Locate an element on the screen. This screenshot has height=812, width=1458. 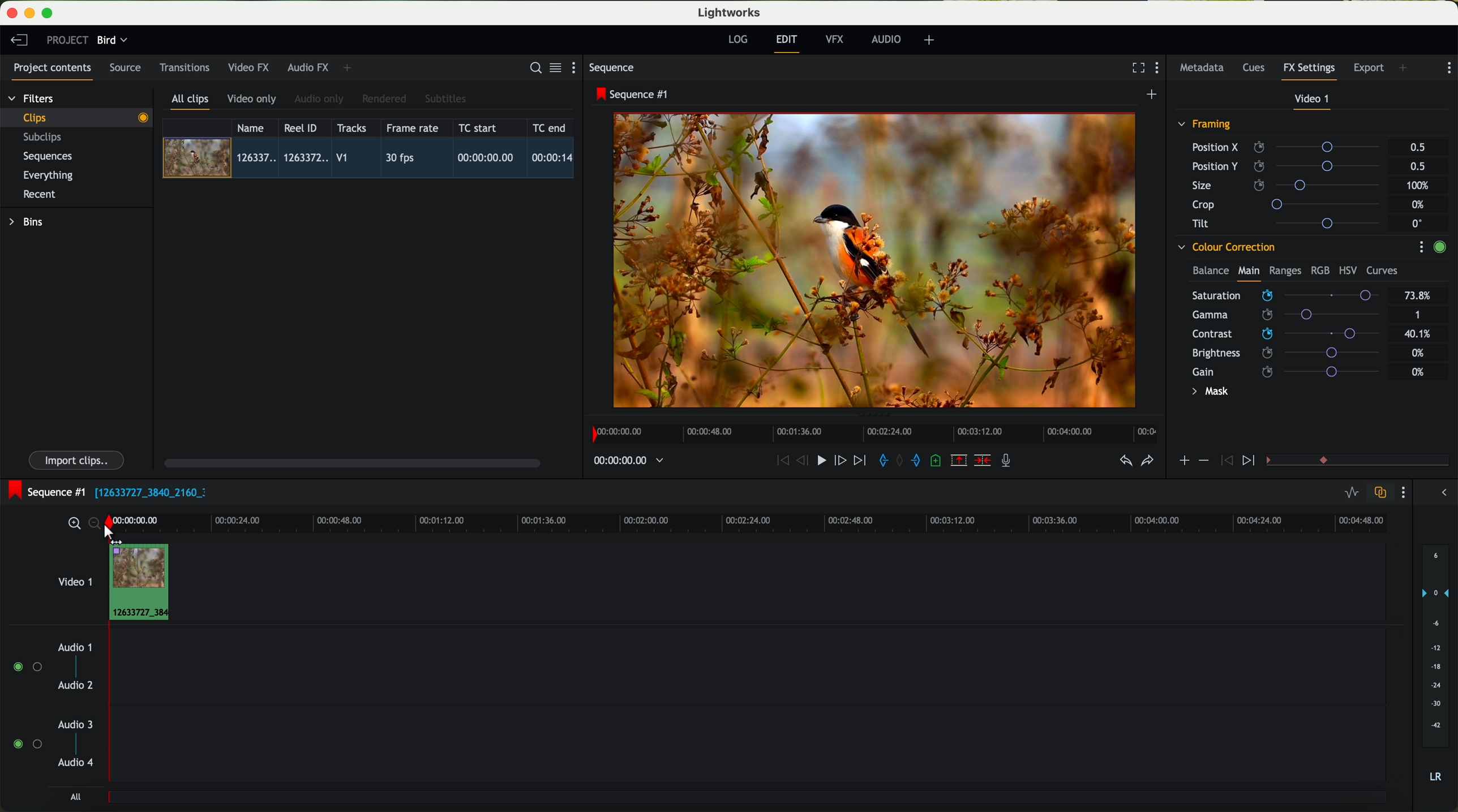
project contents is located at coordinates (53, 71).